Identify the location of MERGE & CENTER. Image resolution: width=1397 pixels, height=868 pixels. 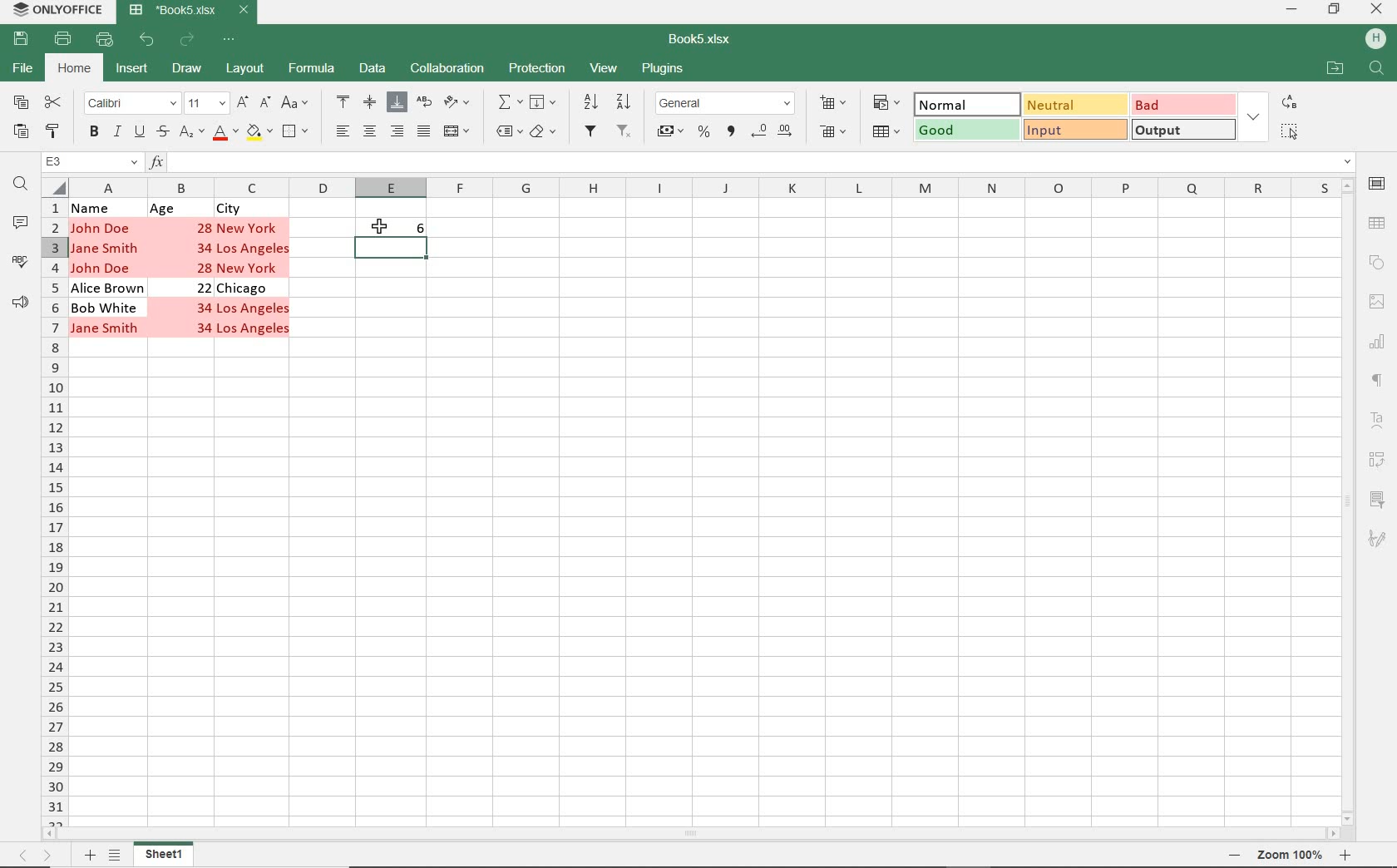
(460, 133).